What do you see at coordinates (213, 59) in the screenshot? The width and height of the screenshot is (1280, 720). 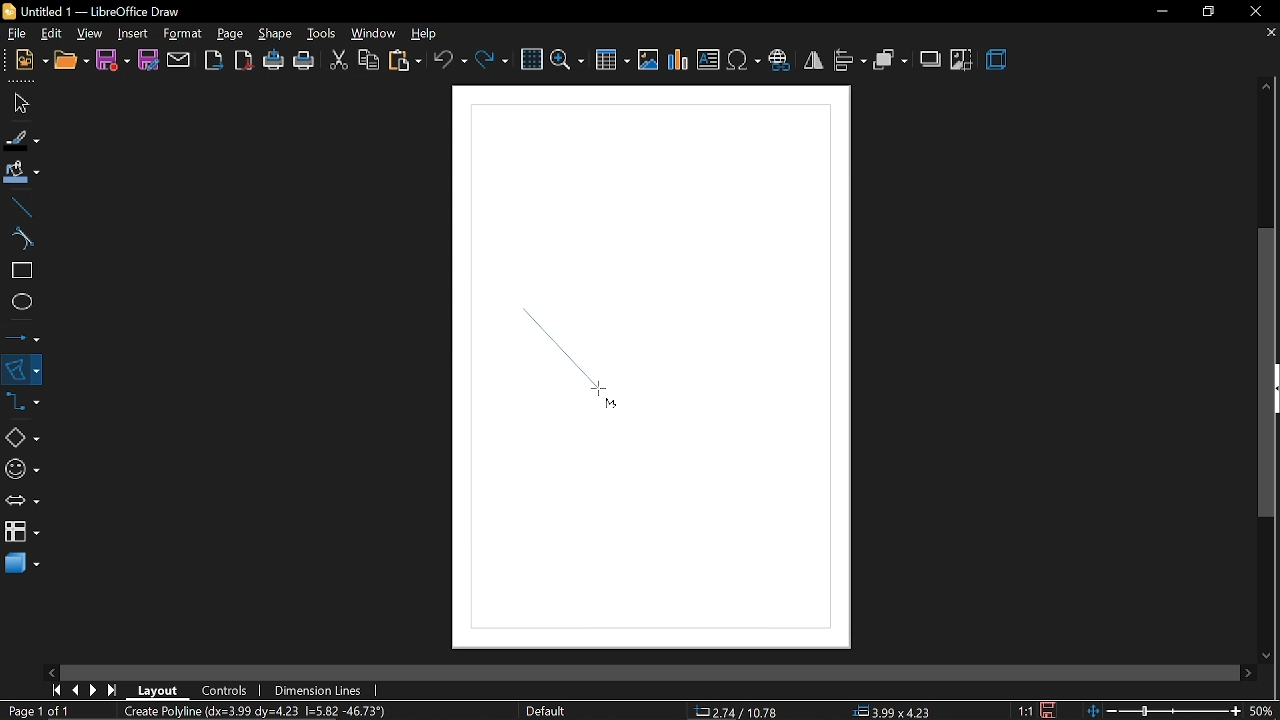 I see `export` at bounding box center [213, 59].